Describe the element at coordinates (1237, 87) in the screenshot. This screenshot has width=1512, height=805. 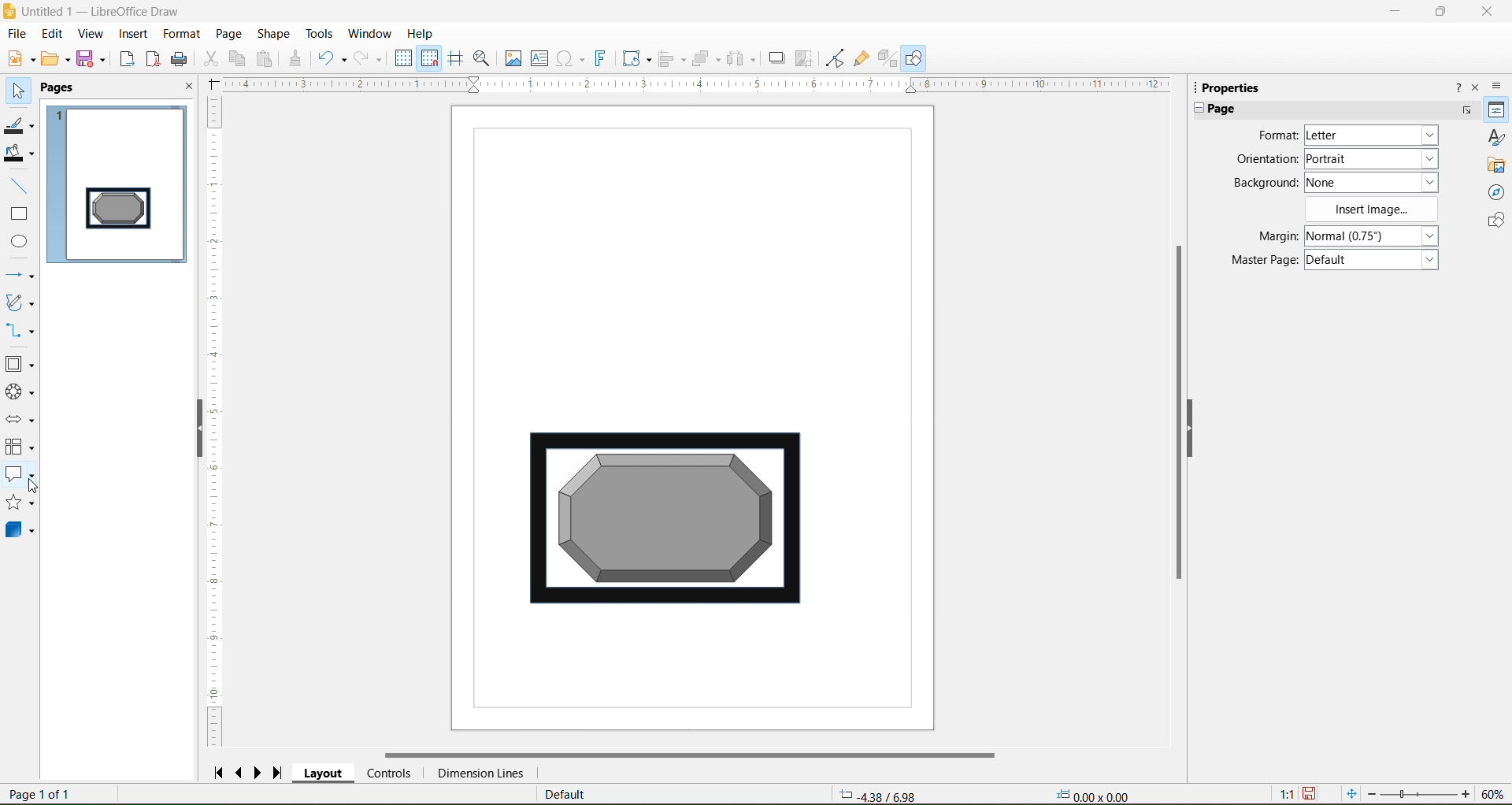
I see `Properties` at that location.